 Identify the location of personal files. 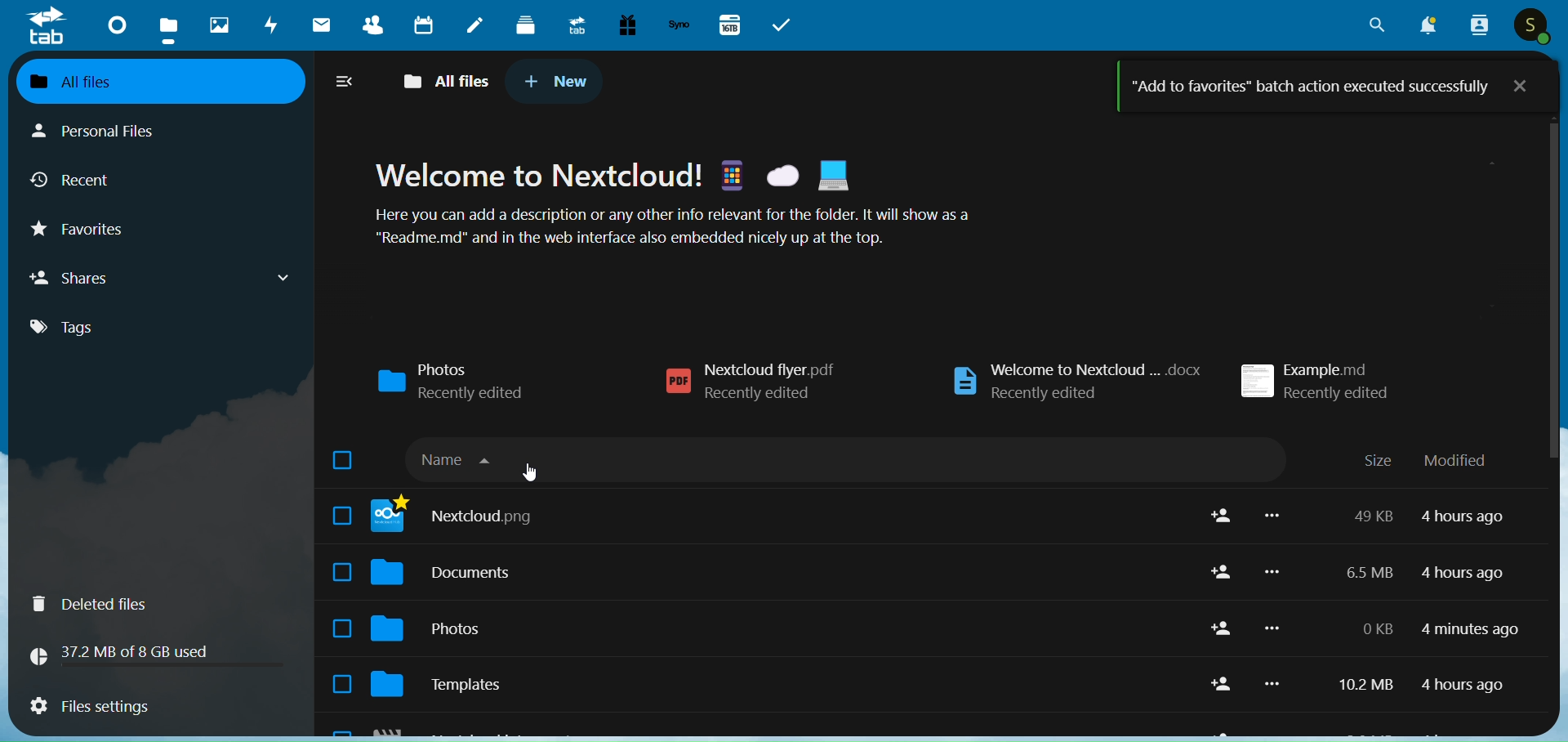
(111, 133).